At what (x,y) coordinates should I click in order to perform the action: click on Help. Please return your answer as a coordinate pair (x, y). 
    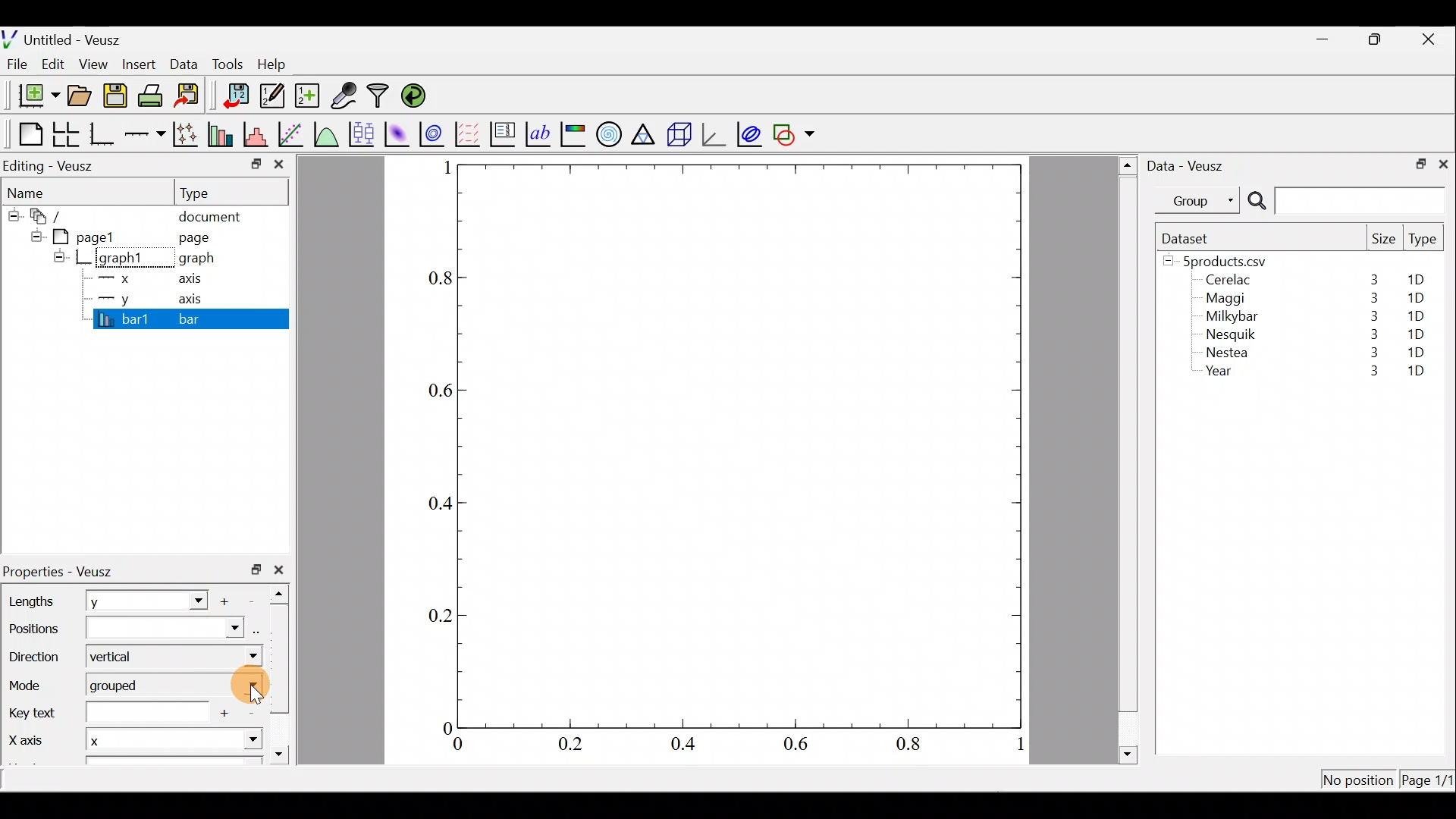
    Looking at the image, I should click on (281, 64).